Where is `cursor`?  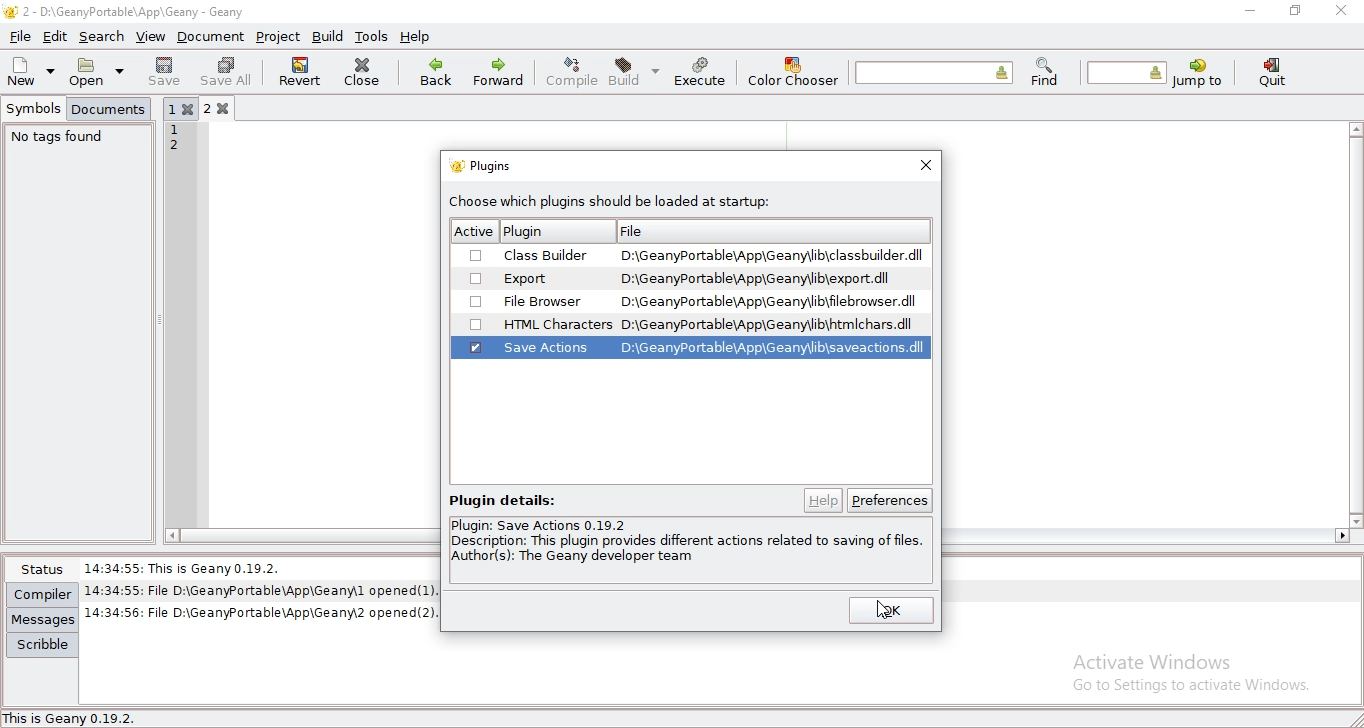
cursor is located at coordinates (881, 610).